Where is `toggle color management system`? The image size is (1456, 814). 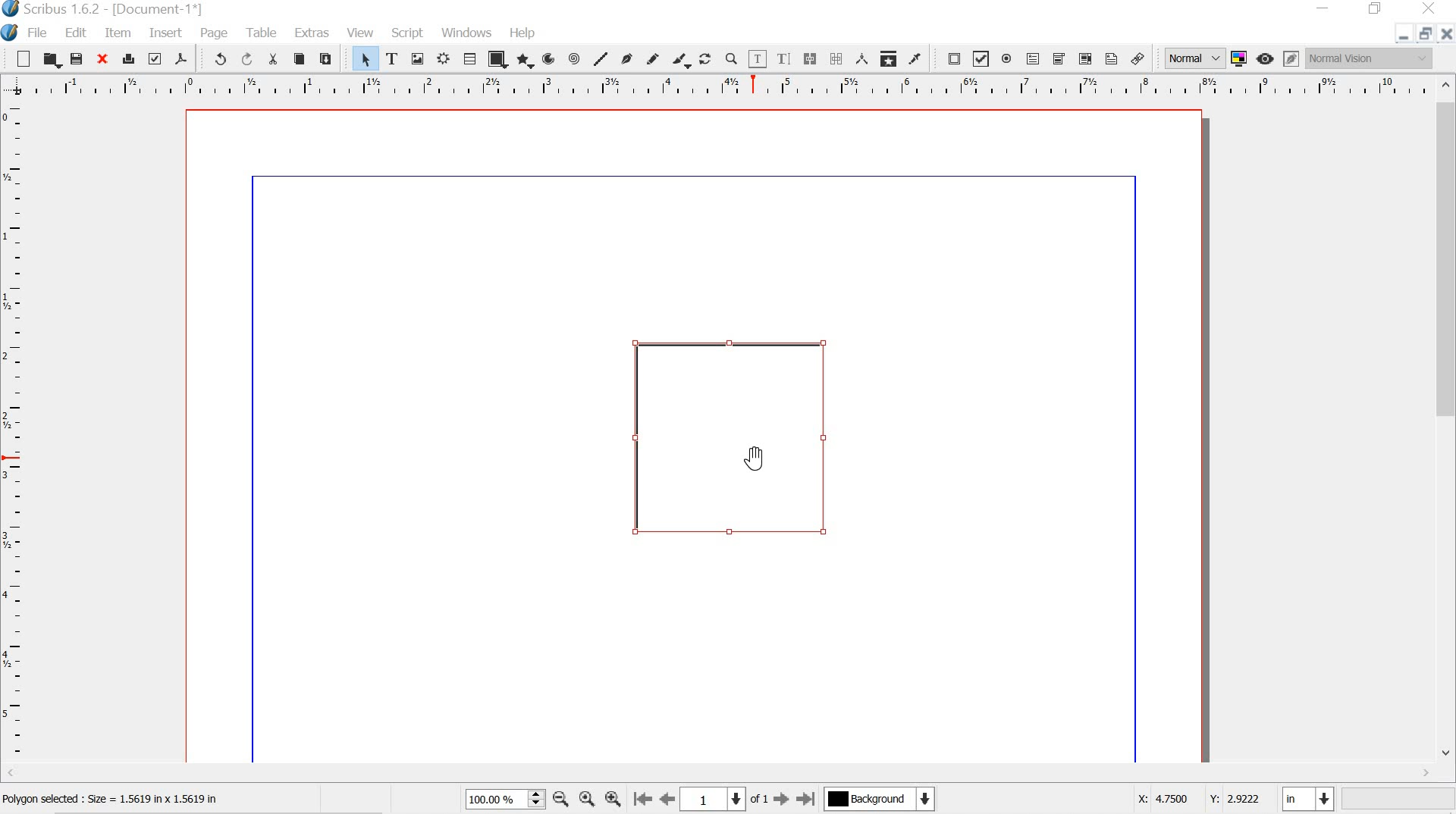 toggle color management system is located at coordinates (1238, 59).